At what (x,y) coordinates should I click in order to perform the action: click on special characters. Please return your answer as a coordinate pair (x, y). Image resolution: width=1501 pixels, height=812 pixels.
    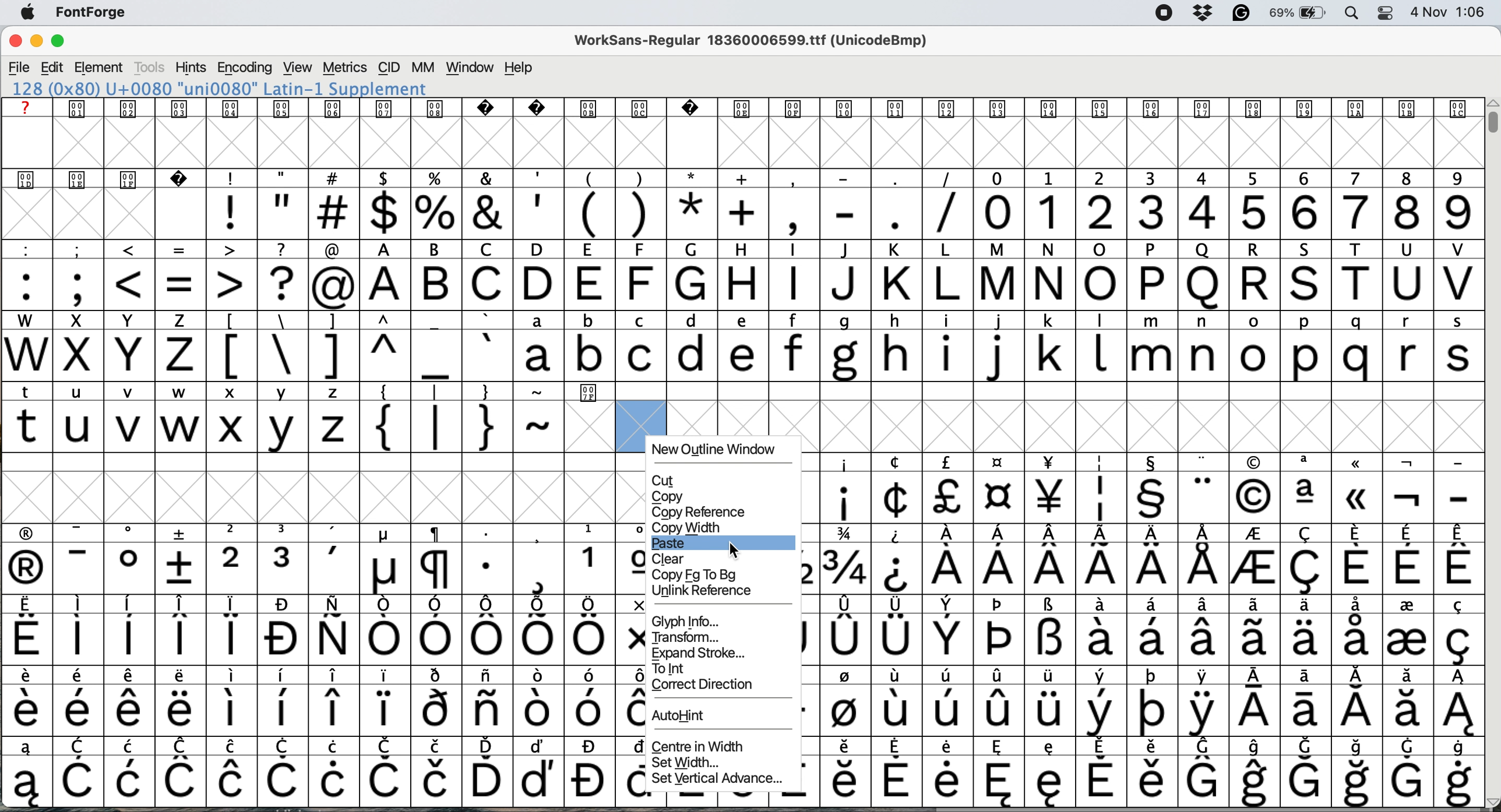
    Looking at the image, I should click on (362, 392).